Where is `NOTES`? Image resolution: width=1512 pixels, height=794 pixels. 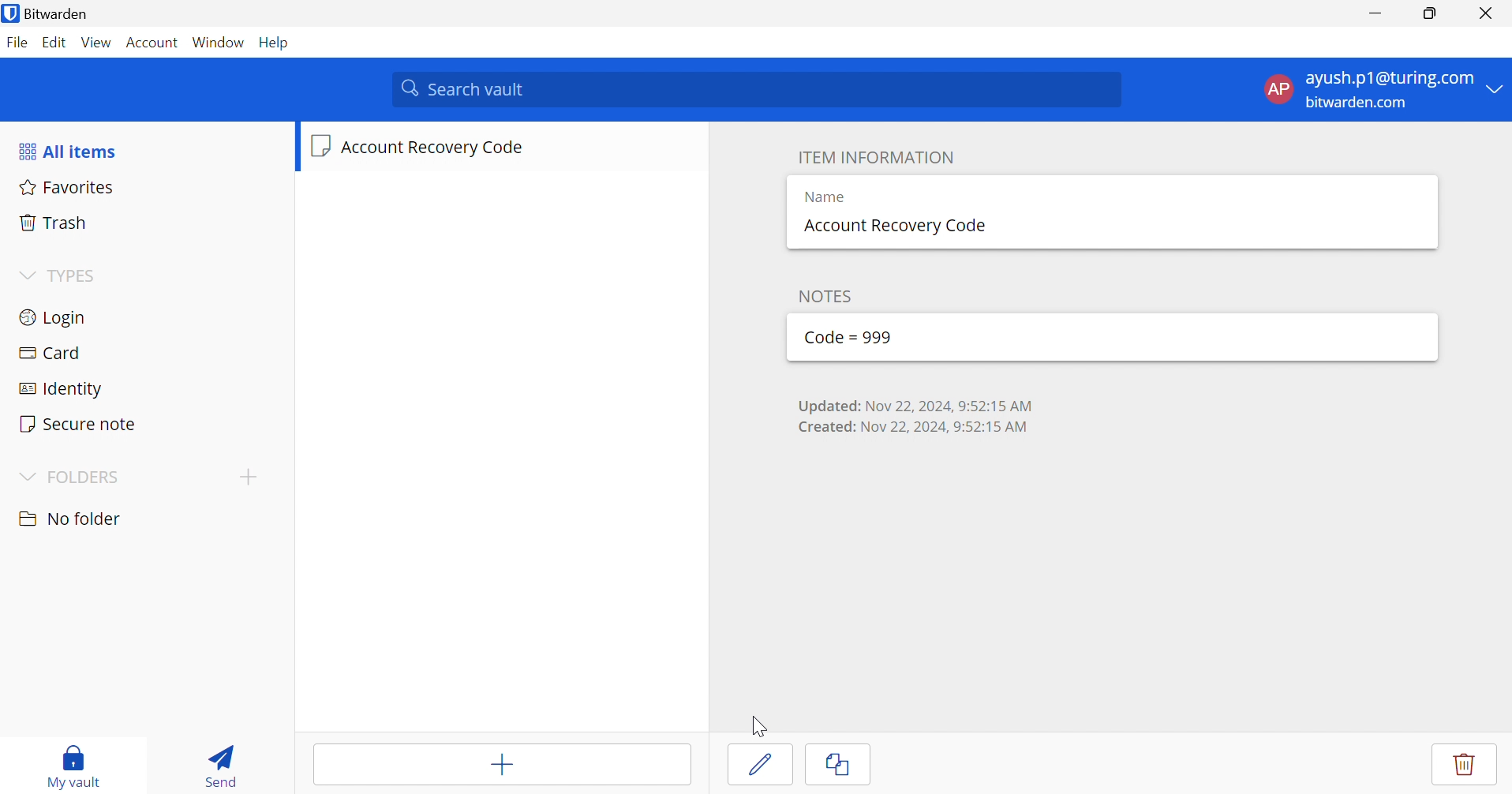 NOTES is located at coordinates (829, 296).